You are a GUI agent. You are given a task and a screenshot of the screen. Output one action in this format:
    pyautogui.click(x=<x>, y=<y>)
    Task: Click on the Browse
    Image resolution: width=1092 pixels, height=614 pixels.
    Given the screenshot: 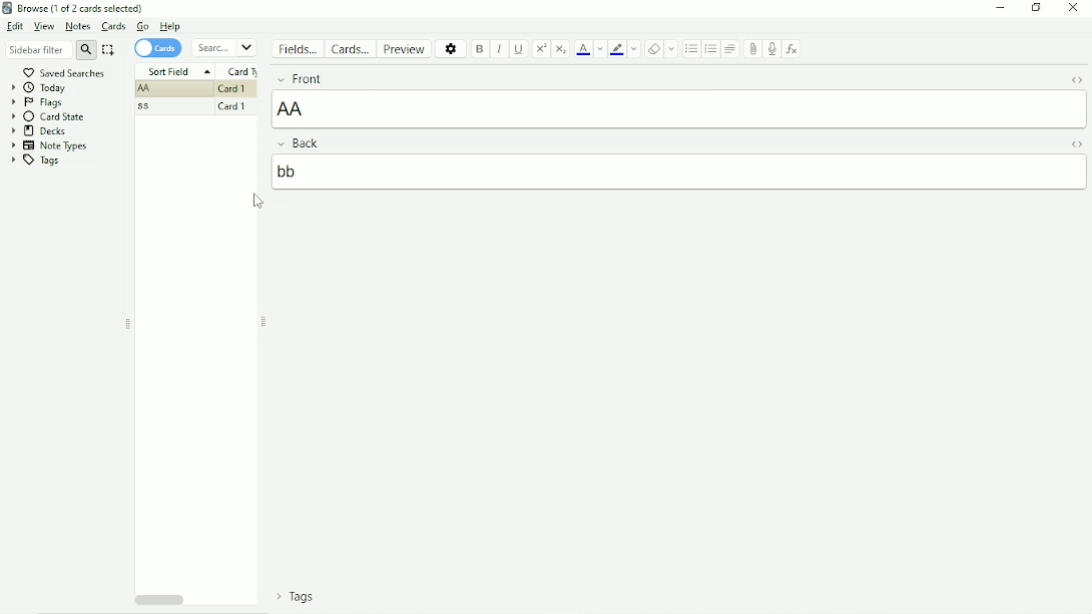 What is the action you would take?
    pyautogui.click(x=77, y=9)
    